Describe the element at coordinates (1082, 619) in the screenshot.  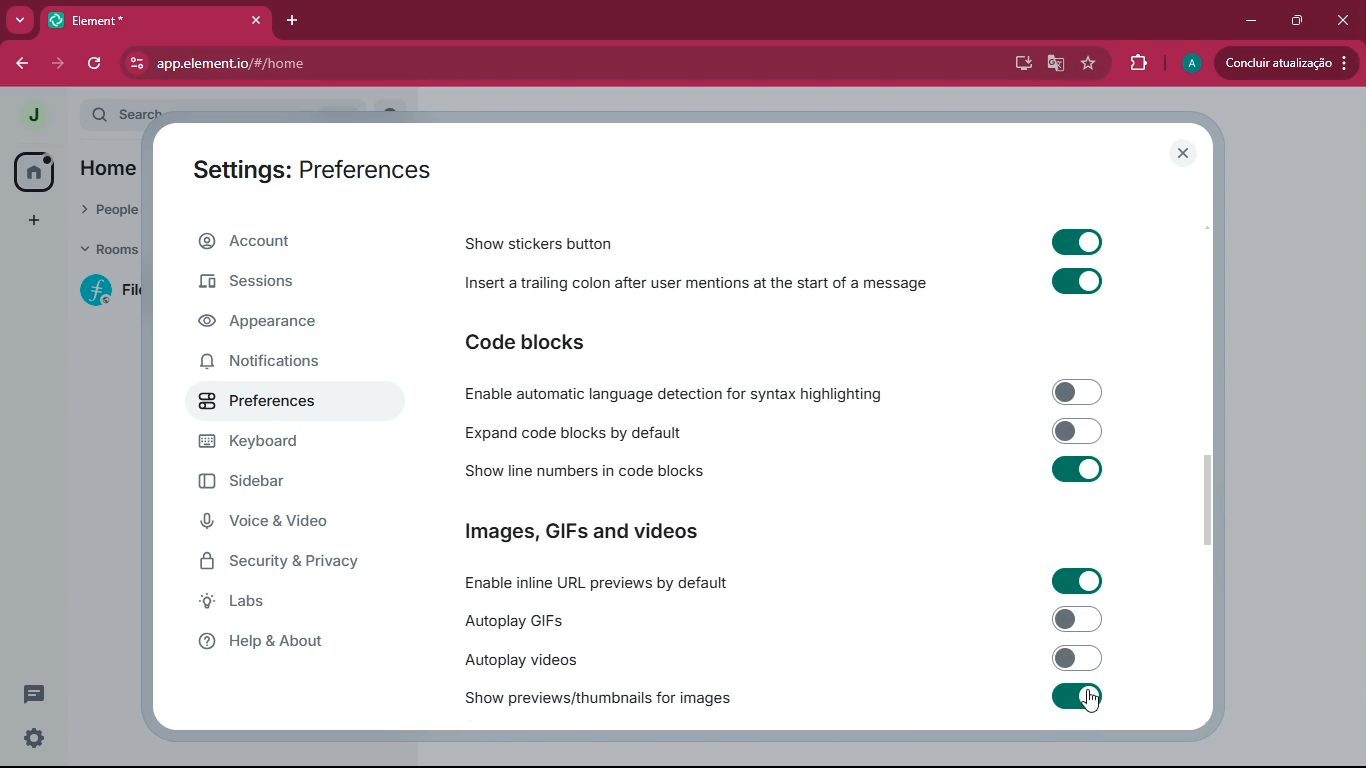
I see `Toggle off` at that location.